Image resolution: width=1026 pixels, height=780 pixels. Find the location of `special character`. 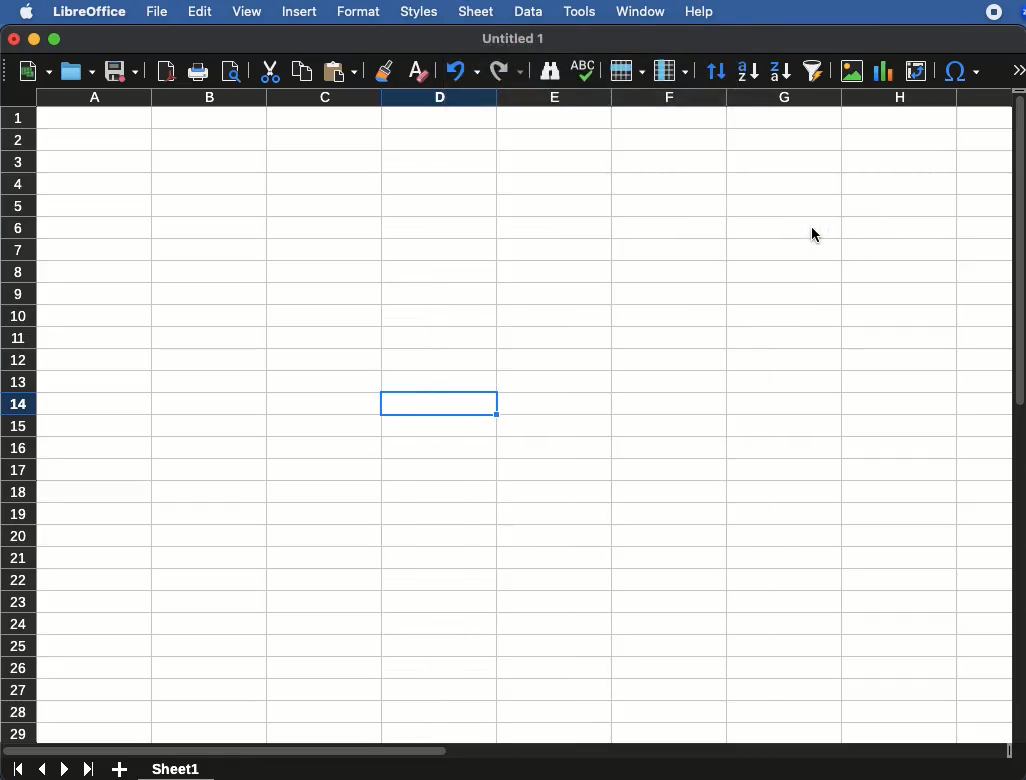

special character is located at coordinates (962, 71).